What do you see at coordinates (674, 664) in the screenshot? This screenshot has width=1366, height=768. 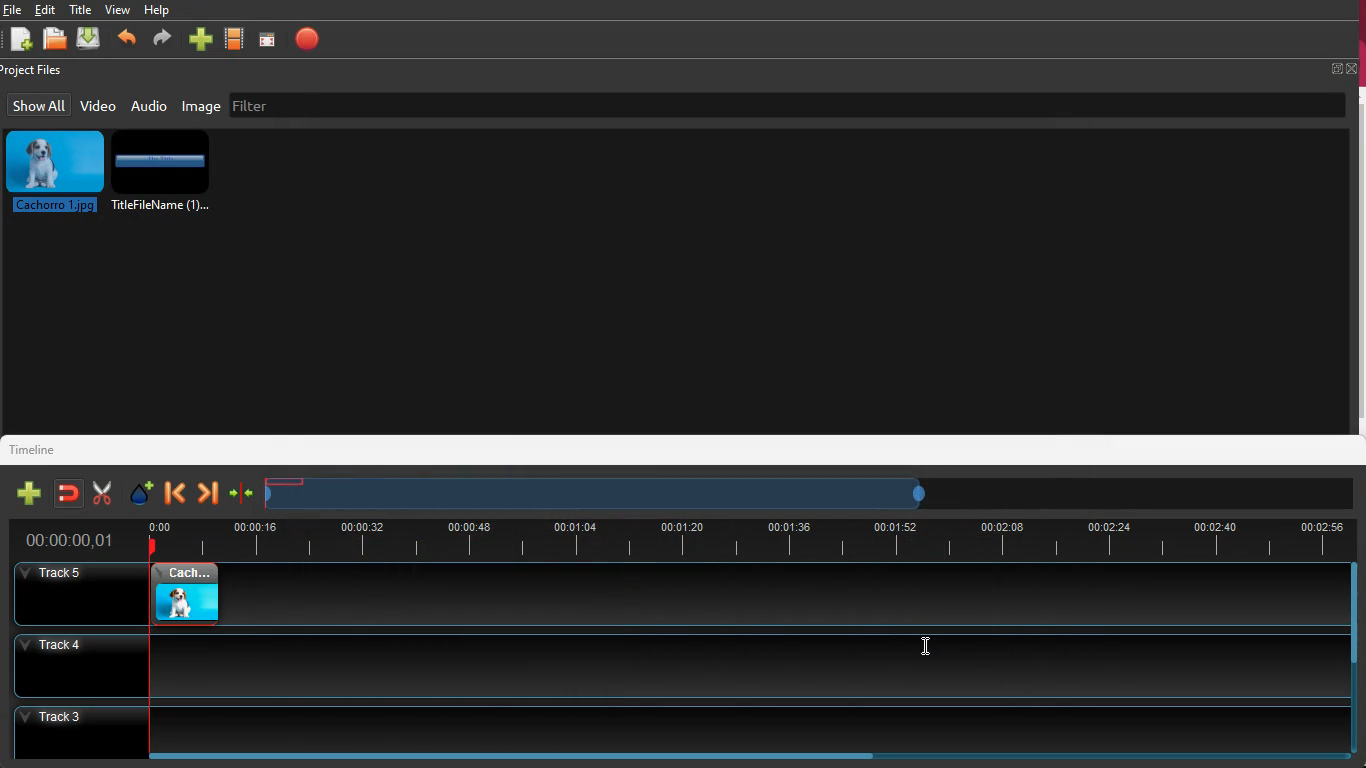 I see `track` at bounding box center [674, 664].